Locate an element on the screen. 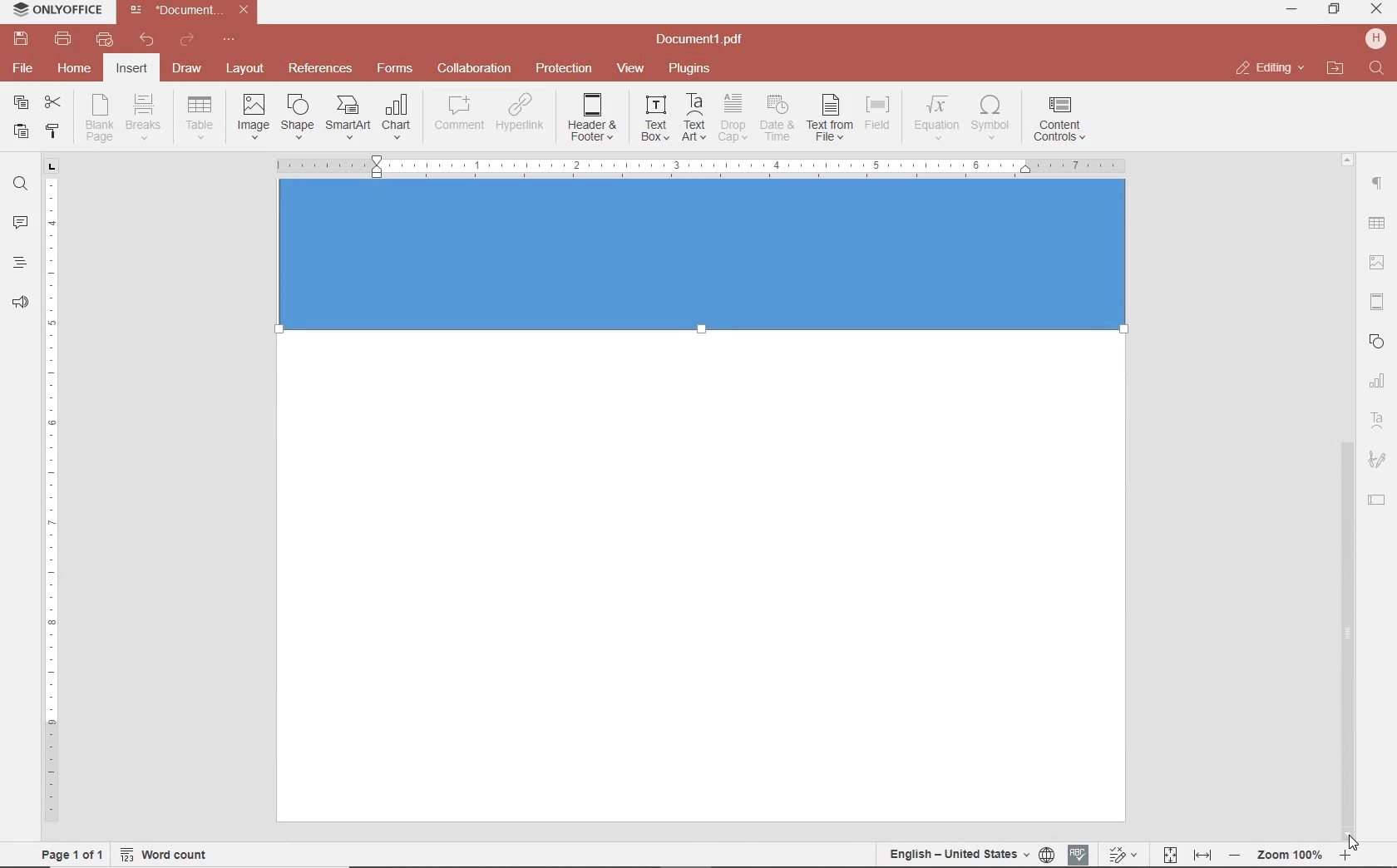 The width and height of the screenshot is (1397, 868). scrollbar is located at coordinates (1348, 633).